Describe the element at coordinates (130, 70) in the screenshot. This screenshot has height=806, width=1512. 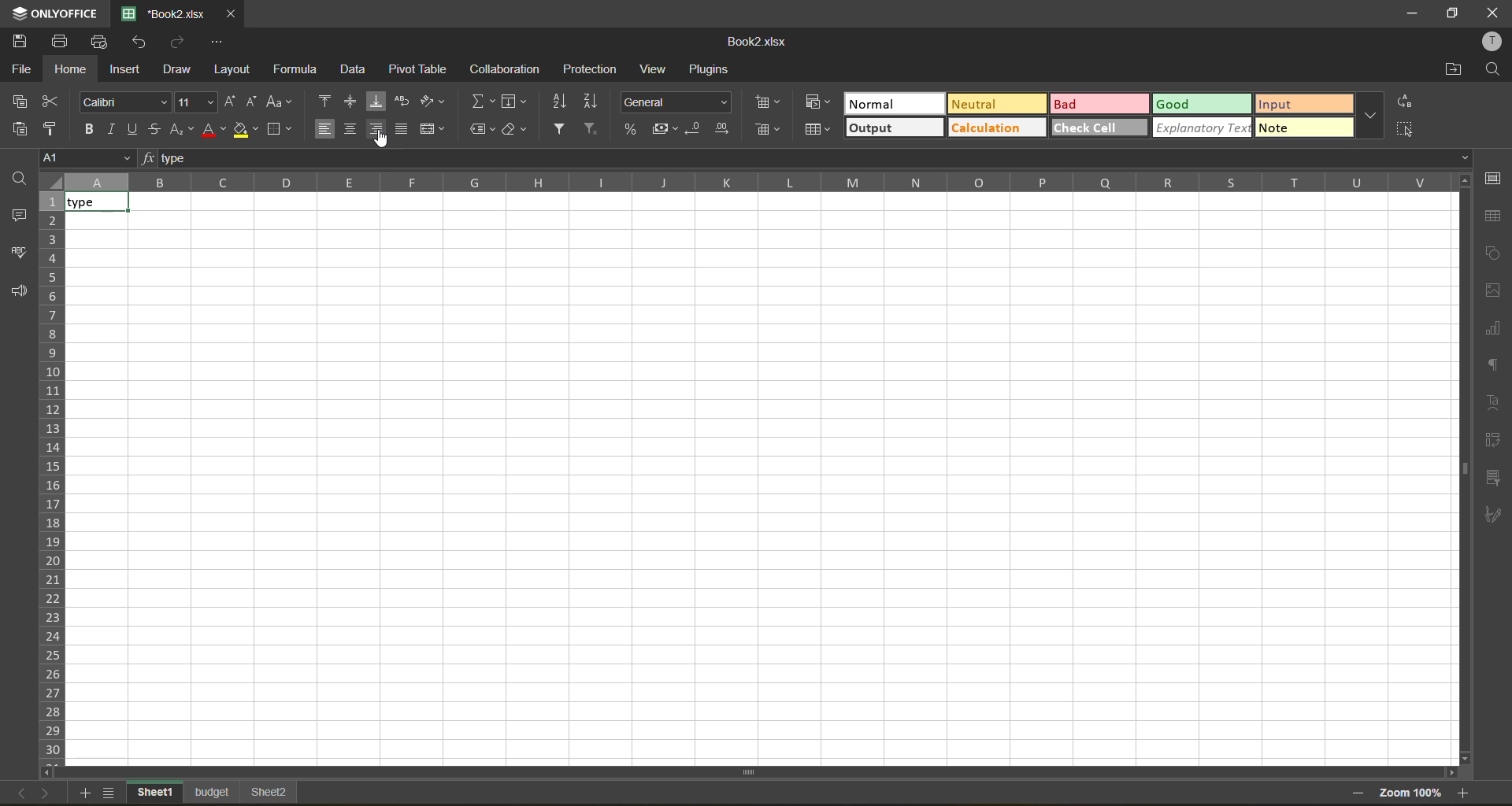
I see `insert` at that location.